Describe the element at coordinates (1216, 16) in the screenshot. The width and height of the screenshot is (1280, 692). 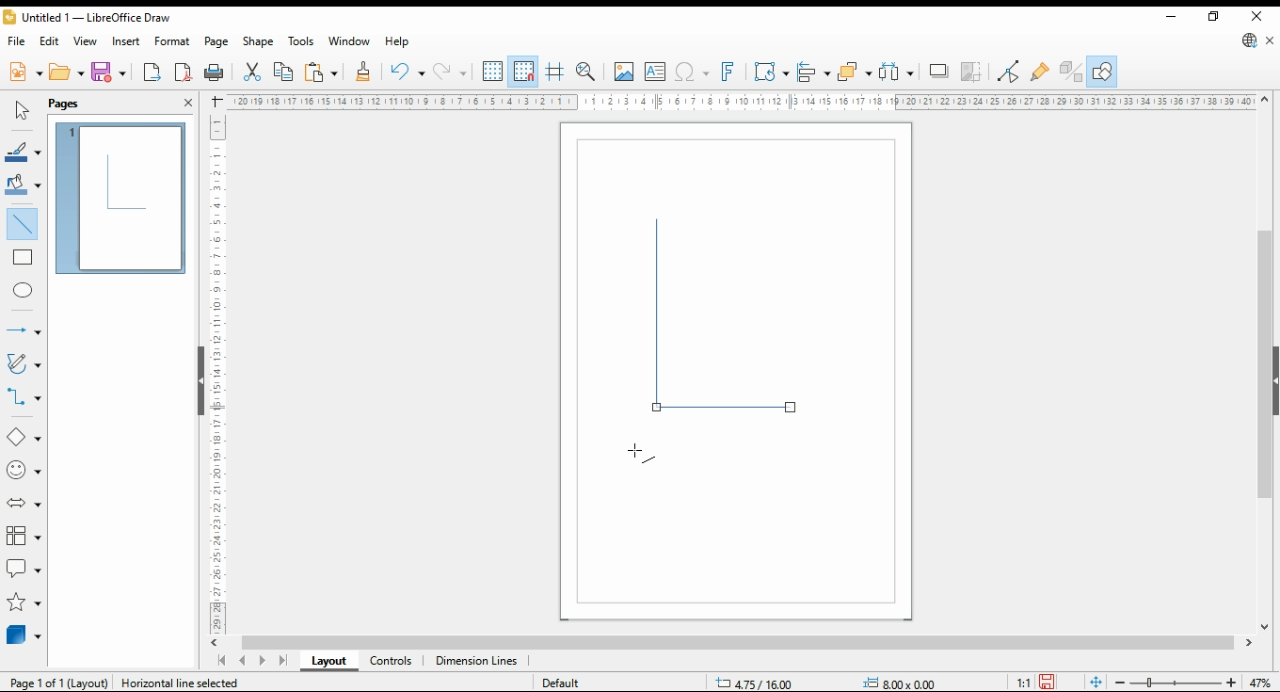
I see `restore` at that location.